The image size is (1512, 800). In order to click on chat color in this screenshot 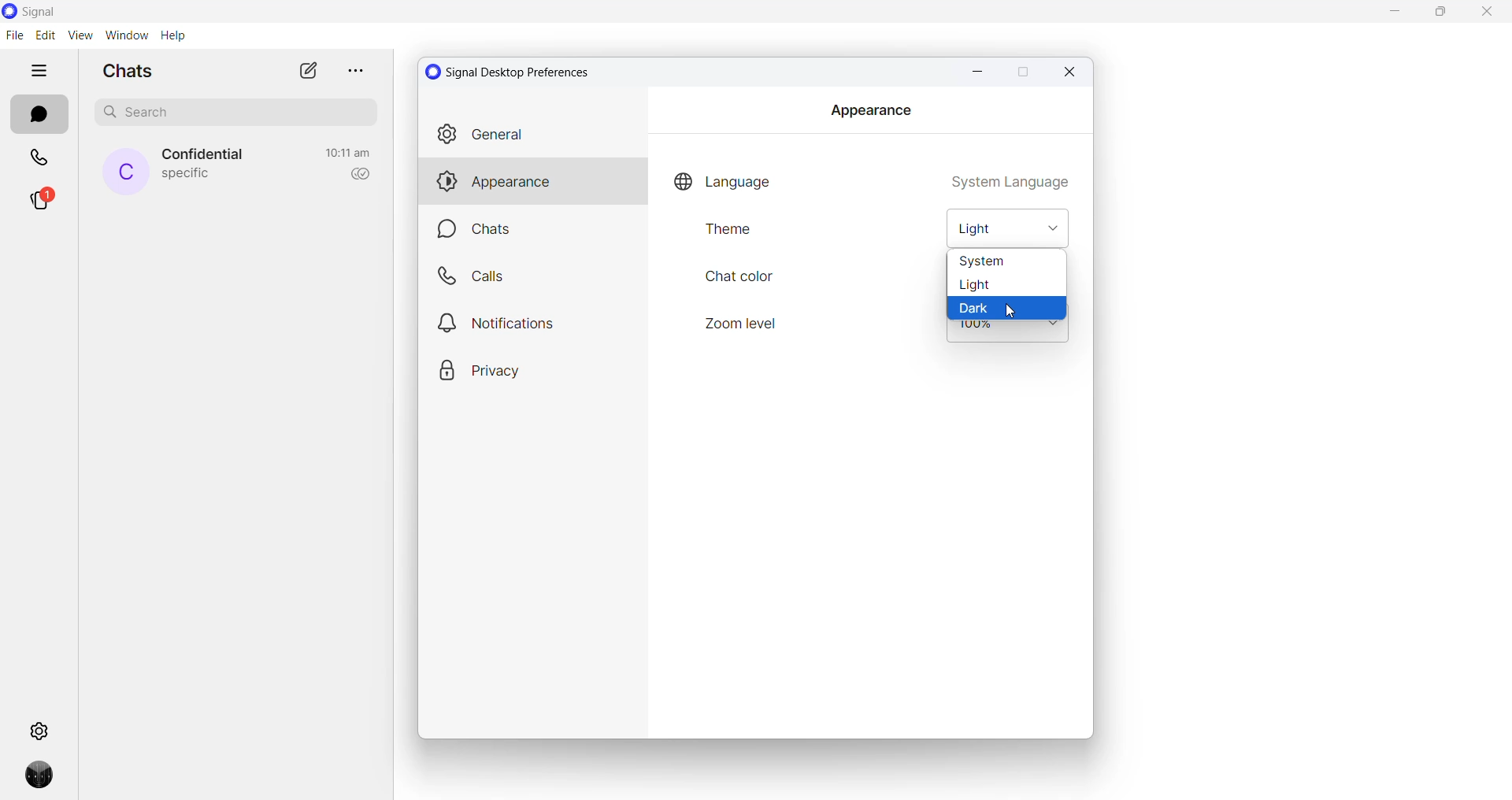, I will do `click(740, 278)`.